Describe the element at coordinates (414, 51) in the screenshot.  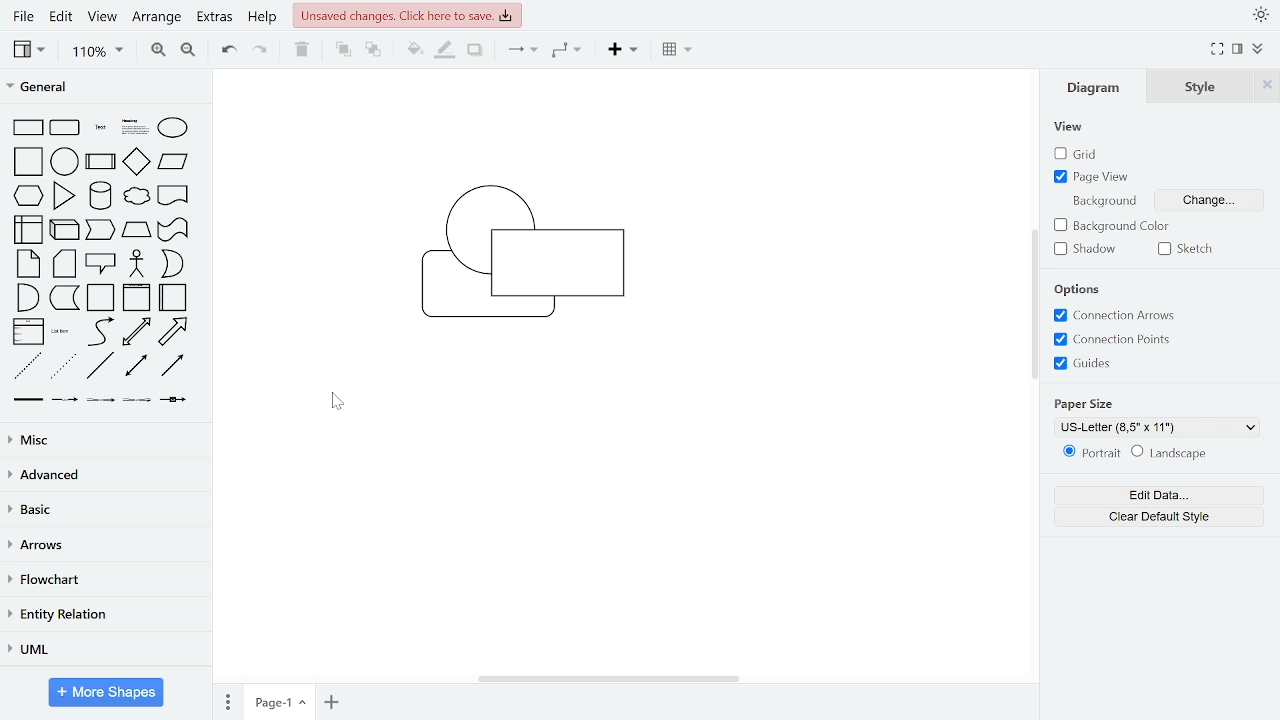
I see `fill color` at that location.